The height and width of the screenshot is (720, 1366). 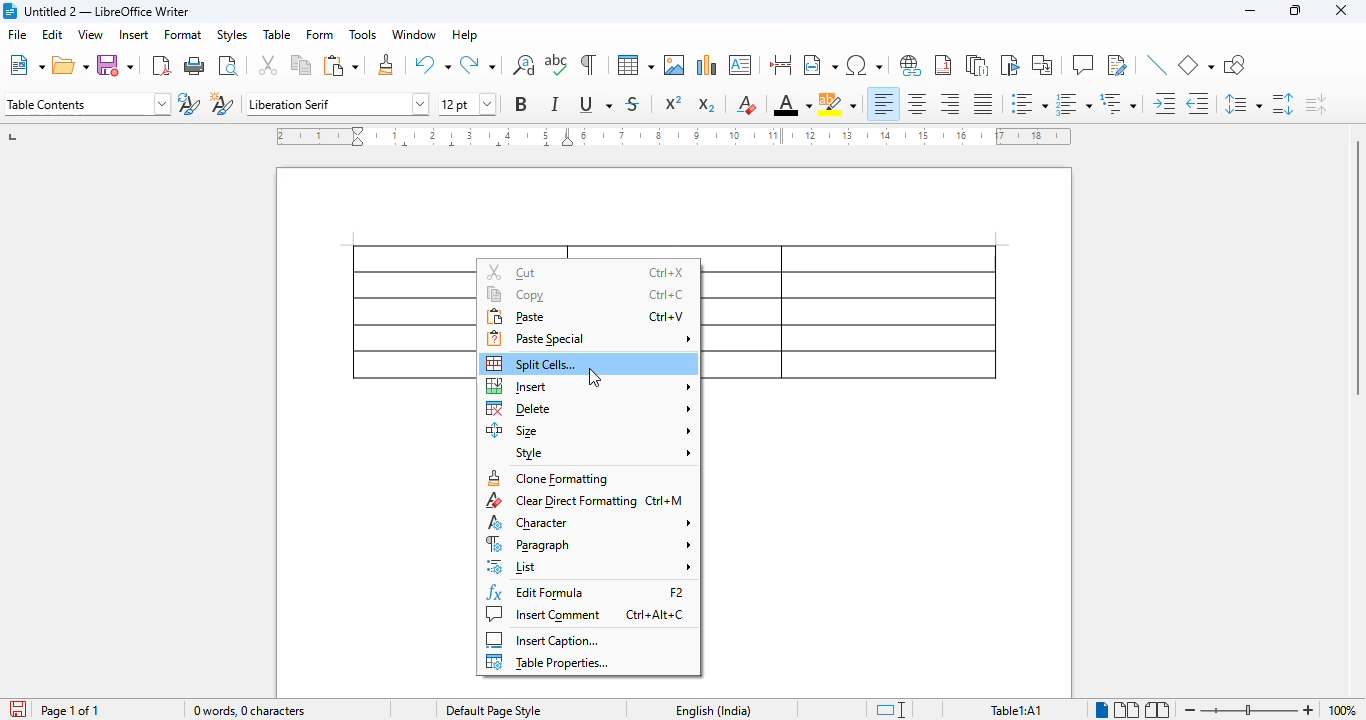 What do you see at coordinates (512, 272) in the screenshot?
I see `cut` at bounding box center [512, 272].